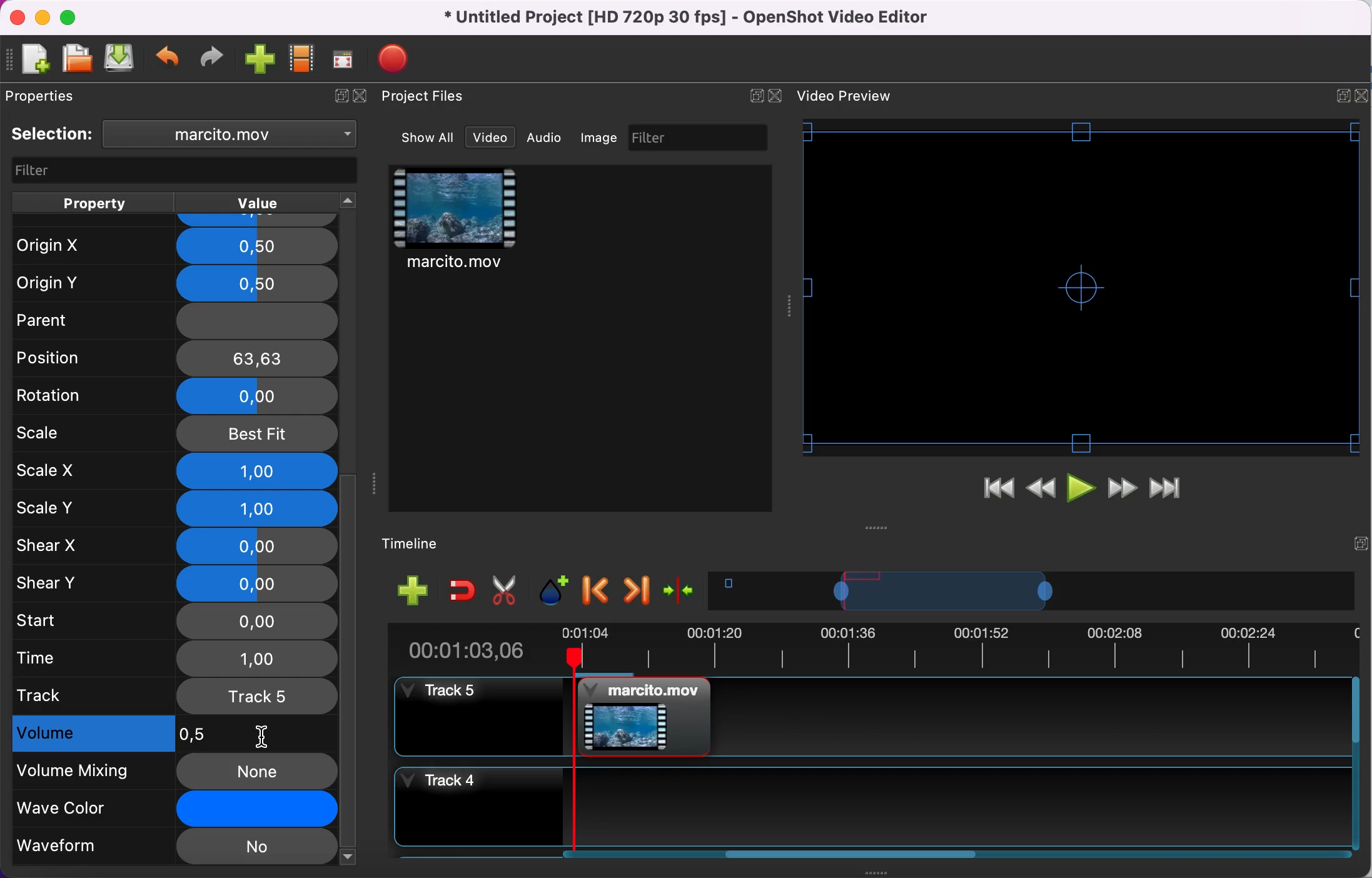 The image size is (1372, 878). Describe the element at coordinates (682, 589) in the screenshot. I see `center the timeline` at that location.